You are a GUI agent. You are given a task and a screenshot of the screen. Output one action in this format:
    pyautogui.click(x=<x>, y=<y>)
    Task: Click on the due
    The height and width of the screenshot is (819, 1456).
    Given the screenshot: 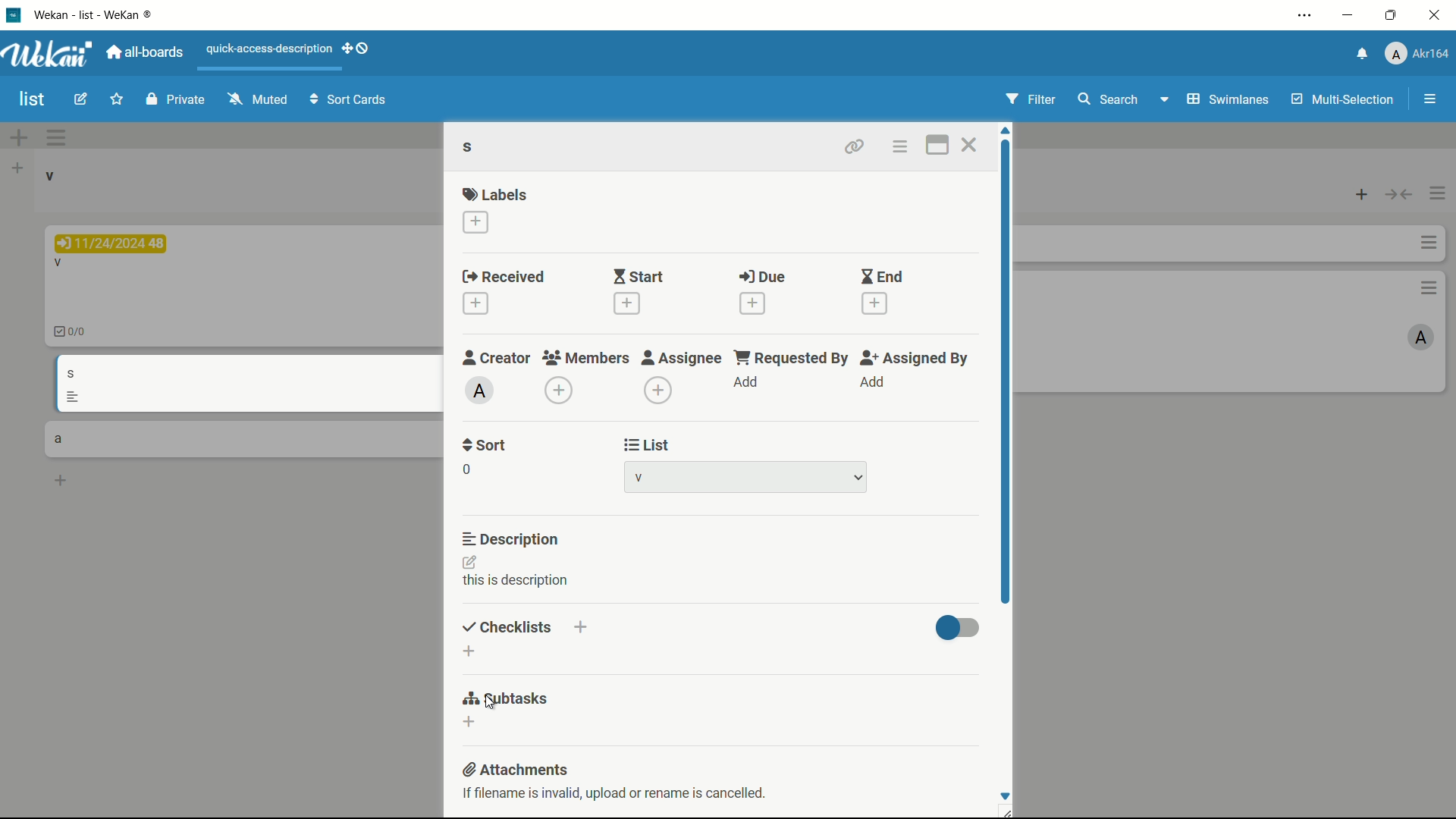 What is the action you would take?
    pyautogui.click(x=762, y=277)
    